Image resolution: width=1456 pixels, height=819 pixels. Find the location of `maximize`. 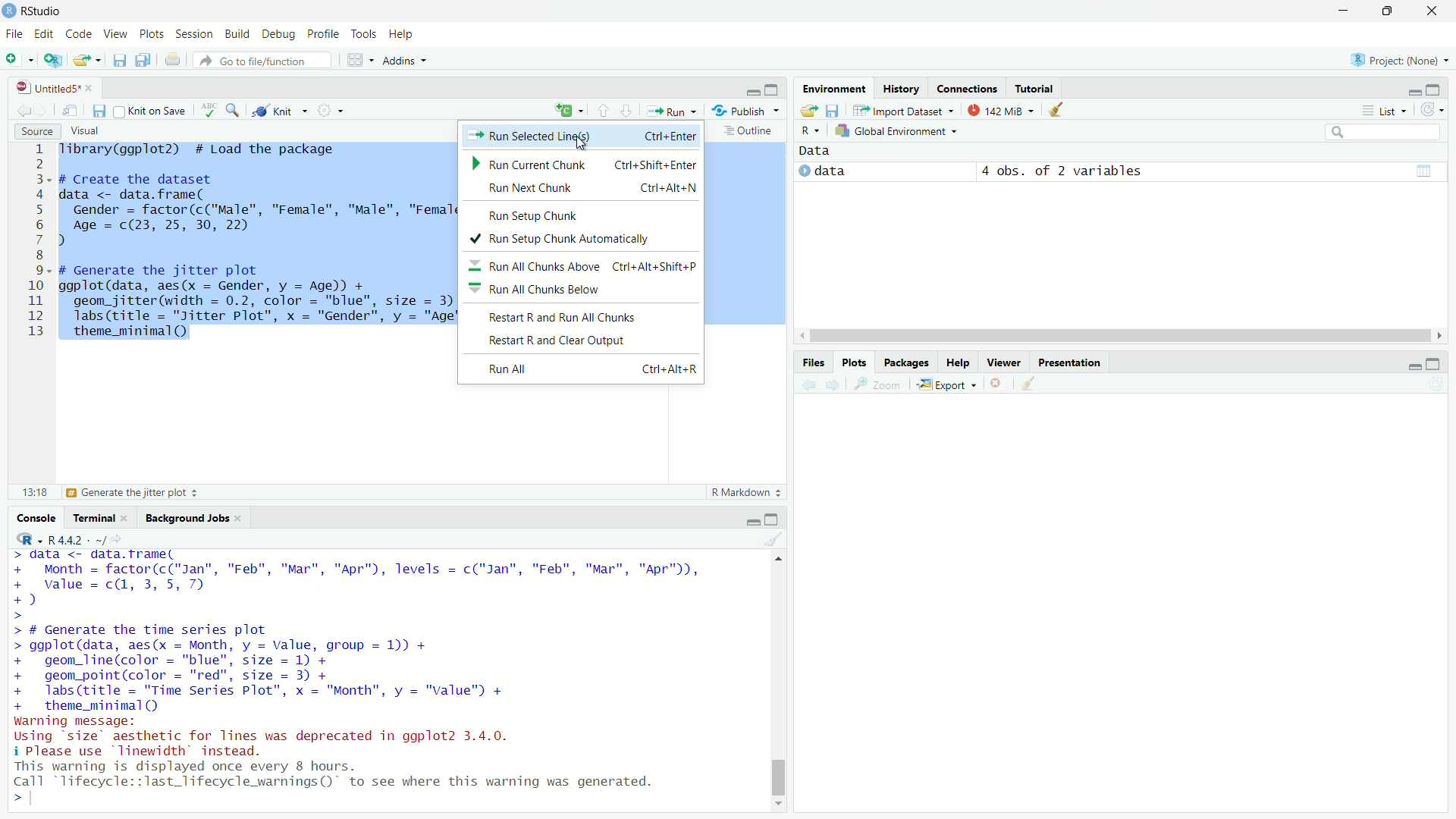

maximize is located at coordinates (1442, 89).